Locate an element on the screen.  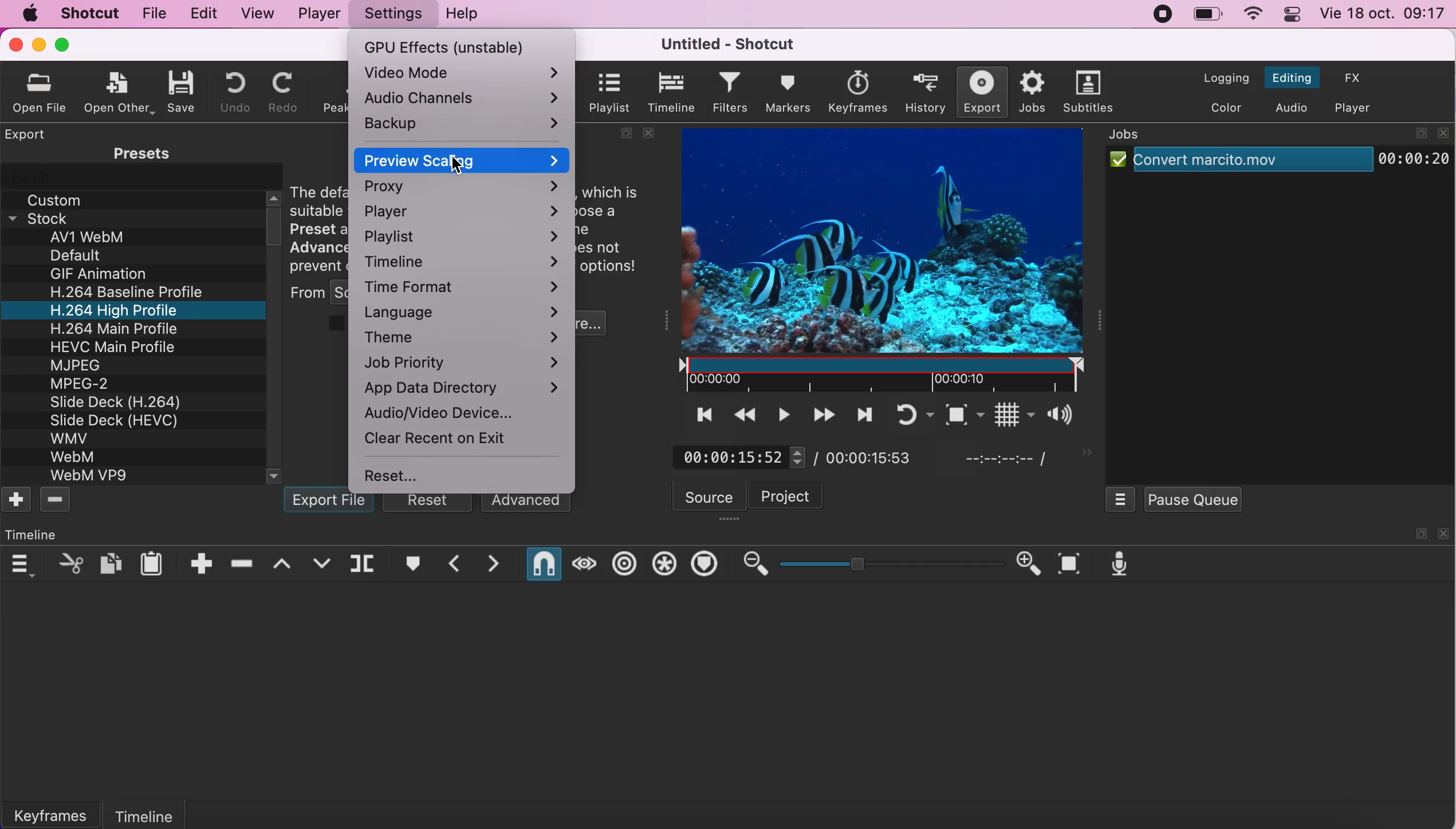
ripple all tracks is located at coordinates (663, 564).